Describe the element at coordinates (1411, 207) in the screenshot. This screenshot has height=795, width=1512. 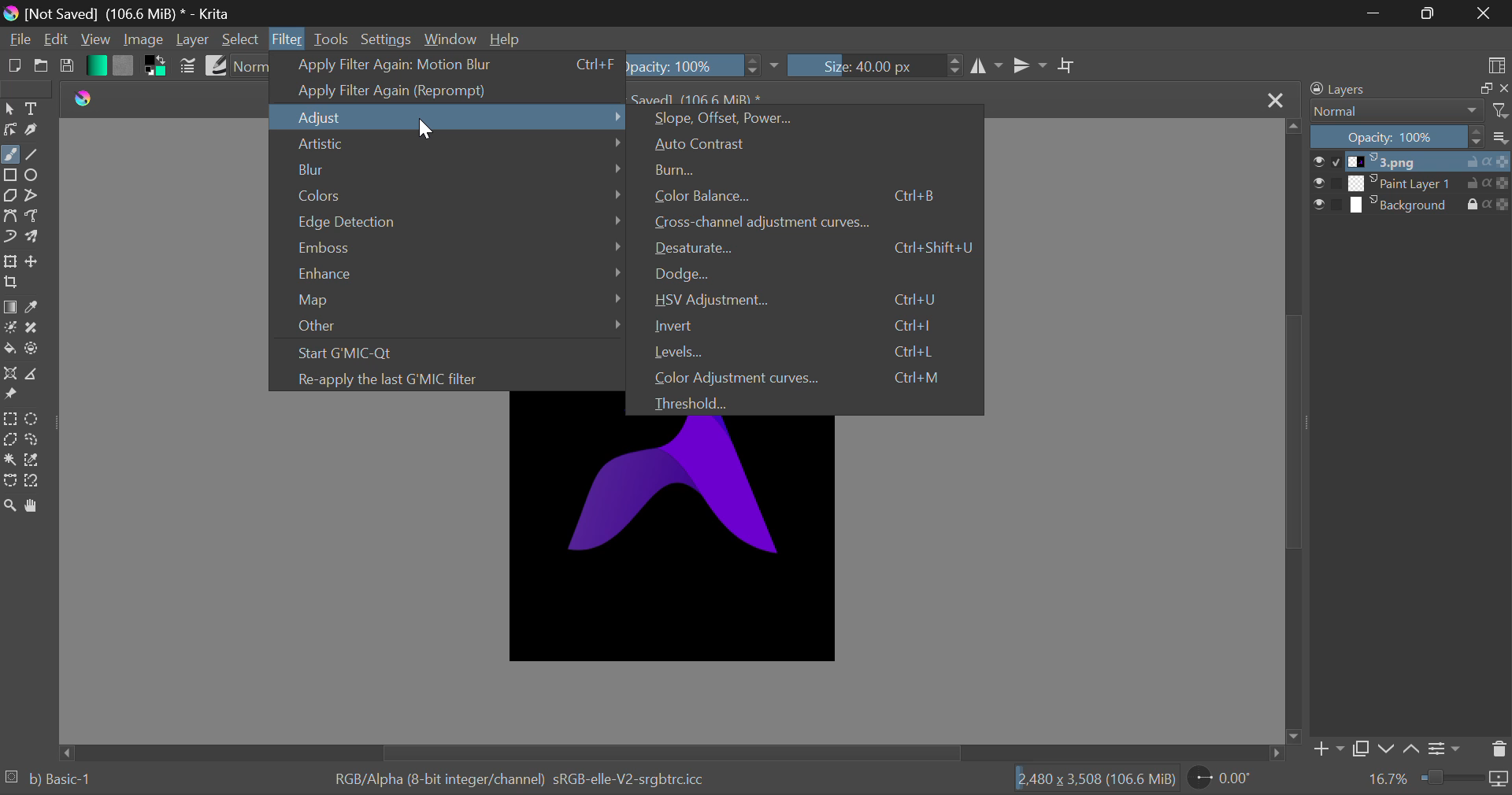
I see `Background` at that location.